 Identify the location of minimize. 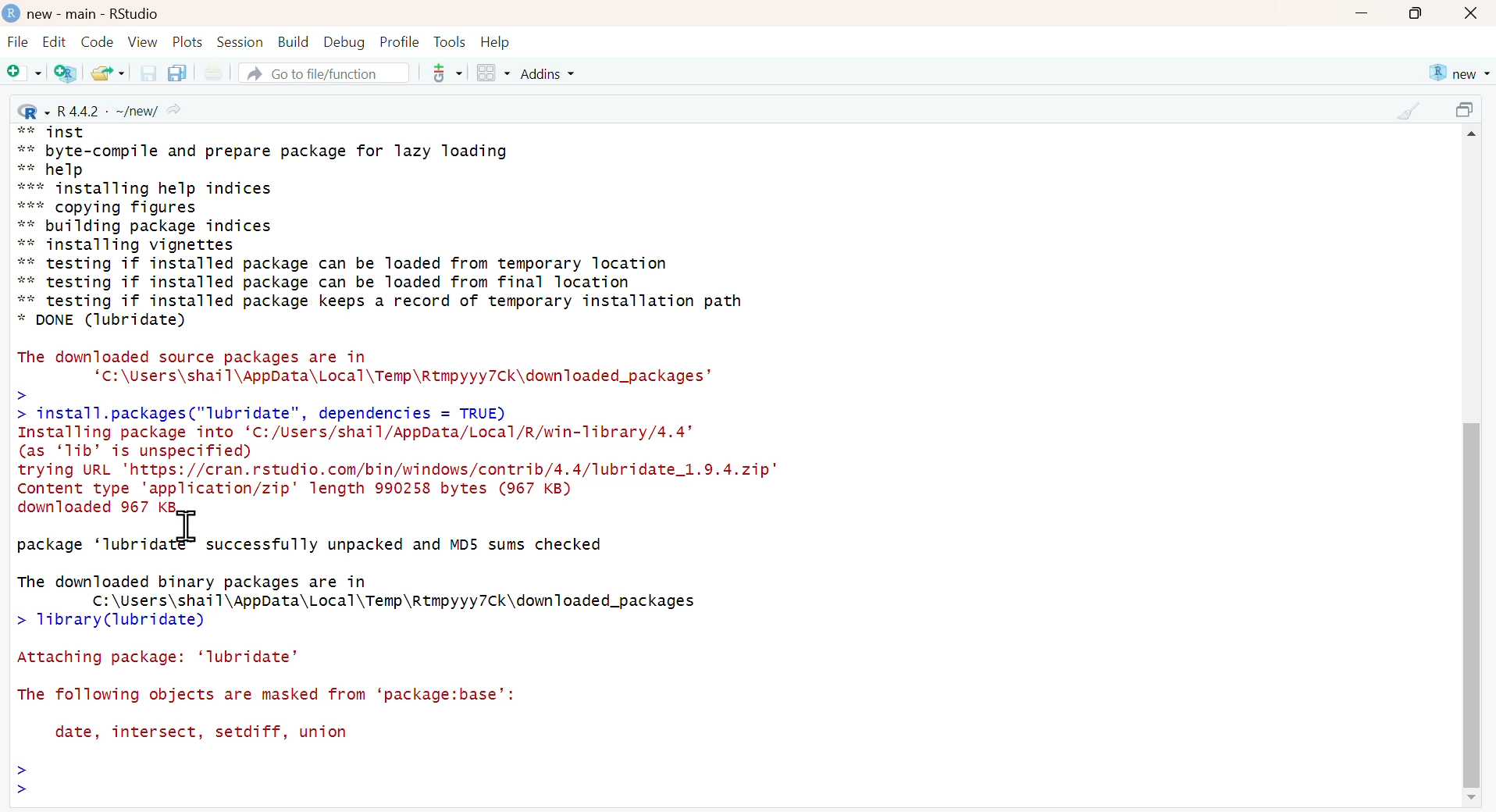
(1361, 15).